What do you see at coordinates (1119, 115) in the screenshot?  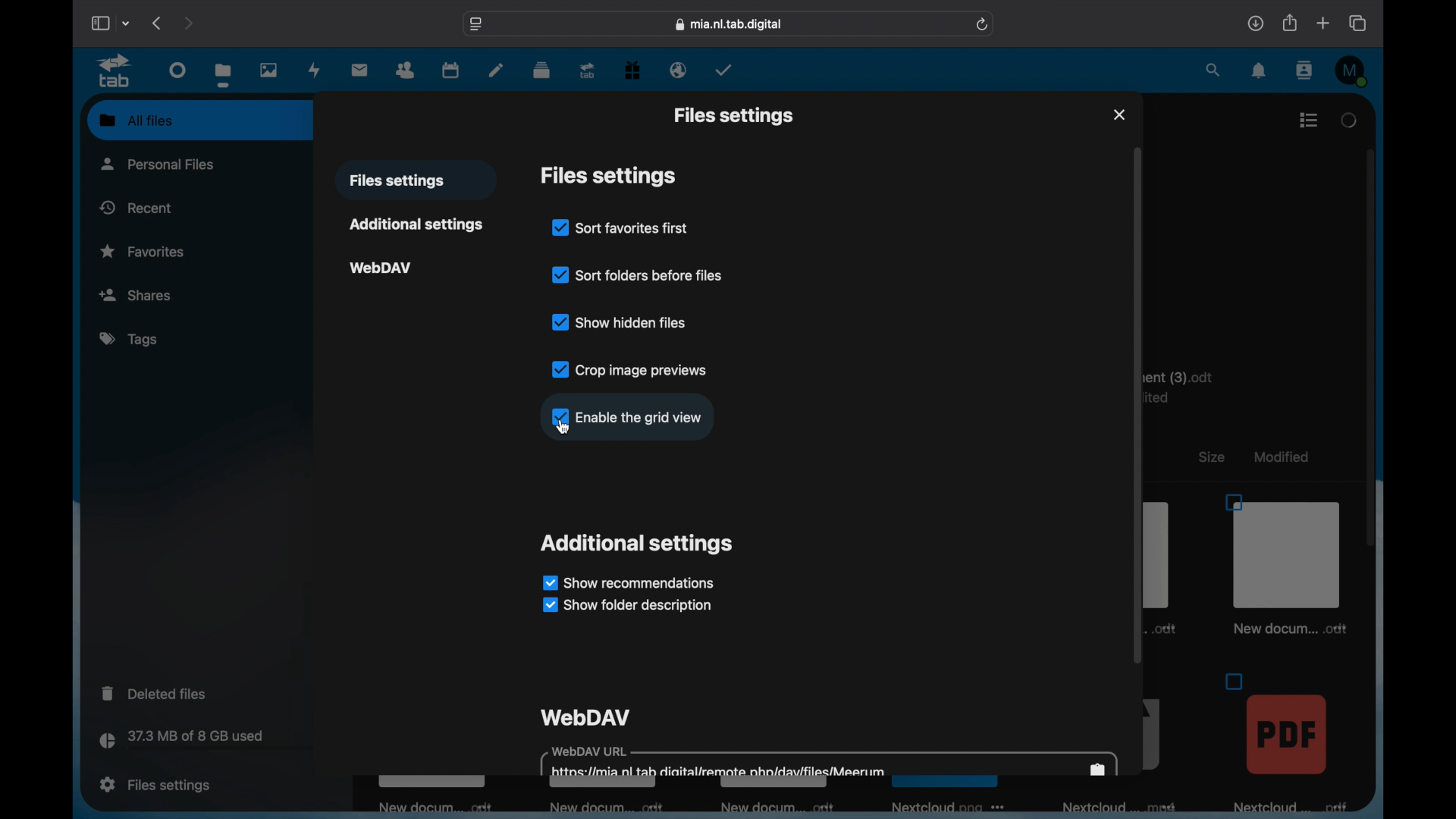 I see `close` at bounding box center [1119, 115].